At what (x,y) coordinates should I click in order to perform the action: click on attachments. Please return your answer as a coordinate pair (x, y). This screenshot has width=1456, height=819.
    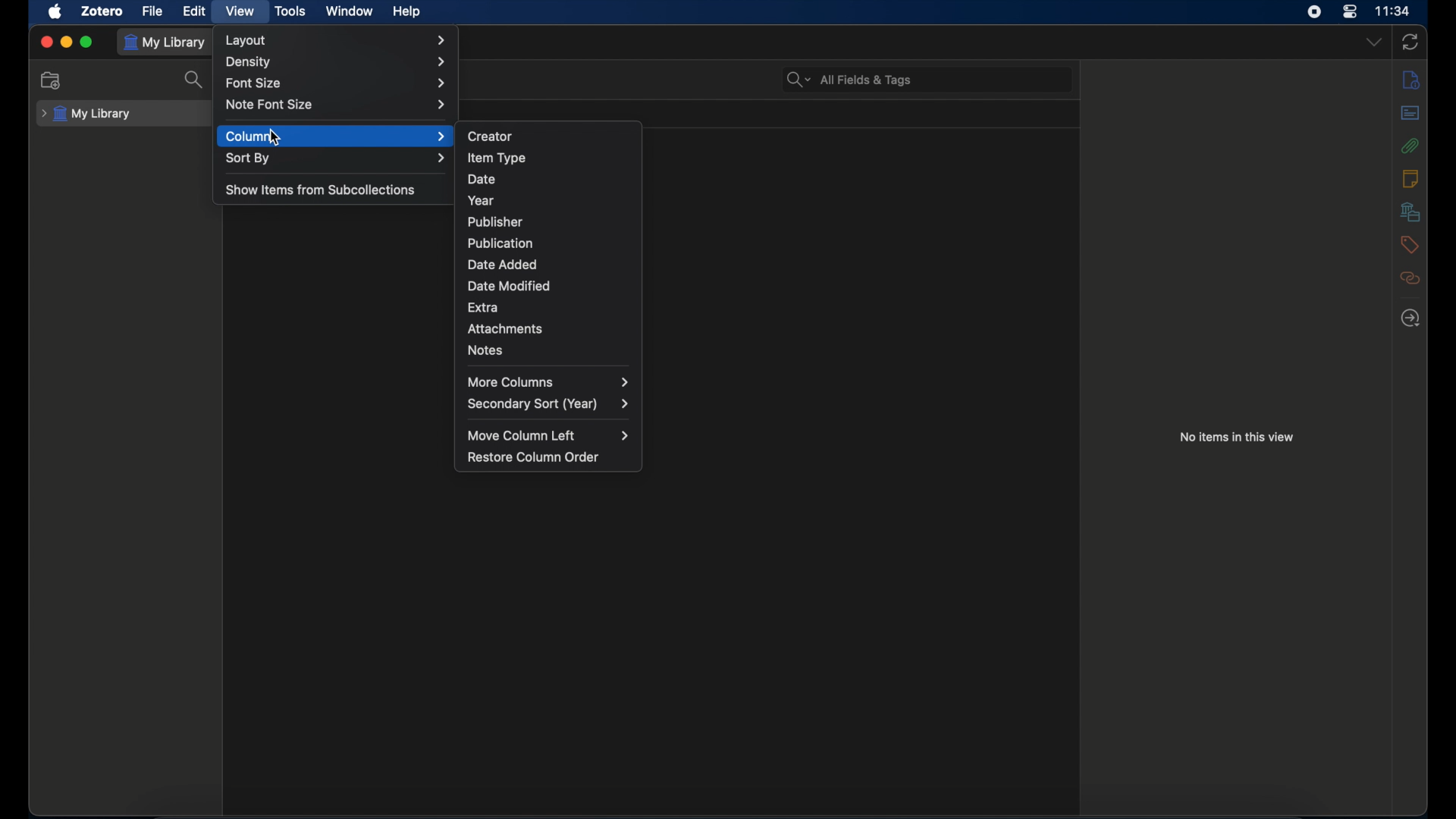
    Looking at the image, I should click on (1410, 146).